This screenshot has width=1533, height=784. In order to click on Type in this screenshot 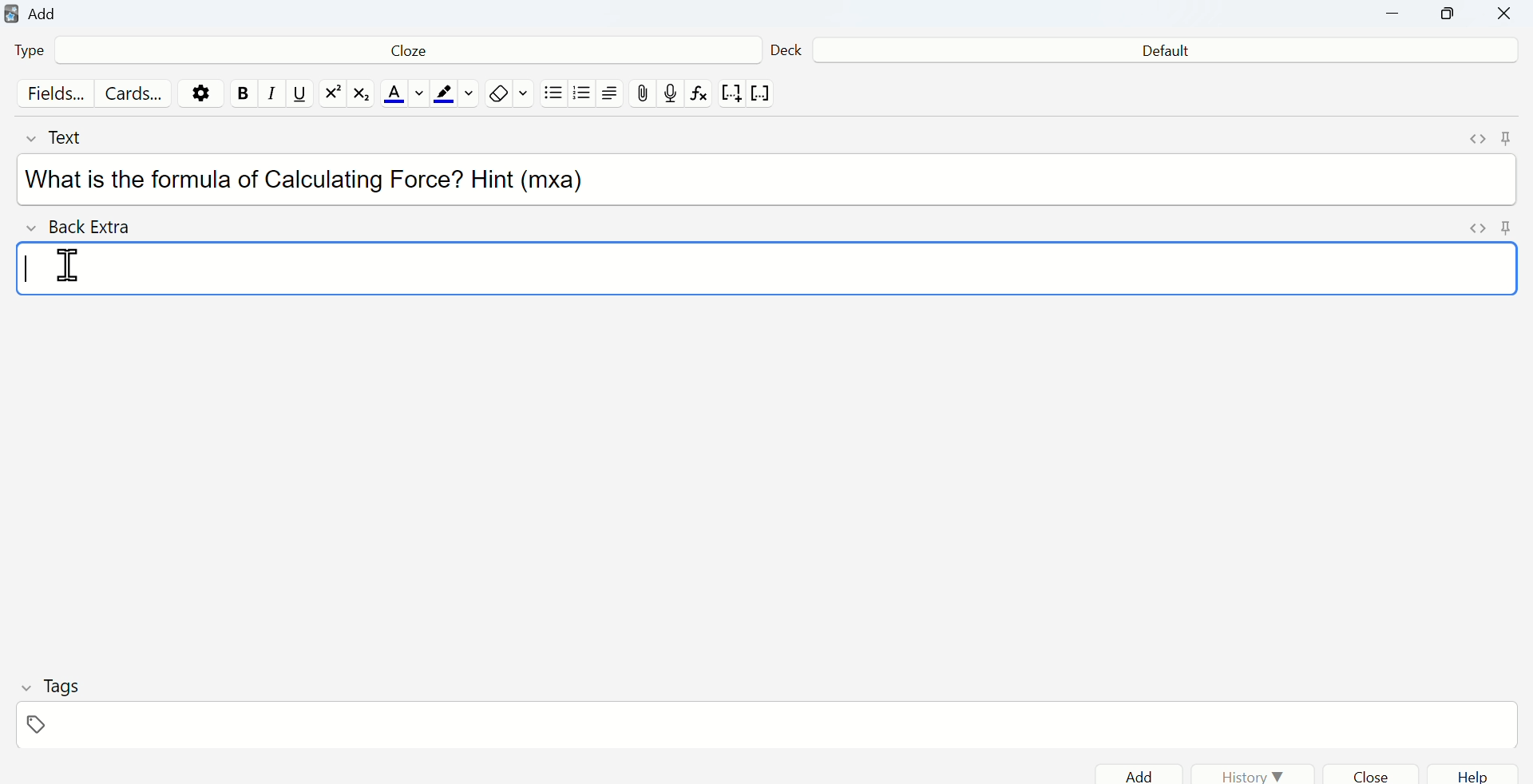, I will do `click(38, 53)`.